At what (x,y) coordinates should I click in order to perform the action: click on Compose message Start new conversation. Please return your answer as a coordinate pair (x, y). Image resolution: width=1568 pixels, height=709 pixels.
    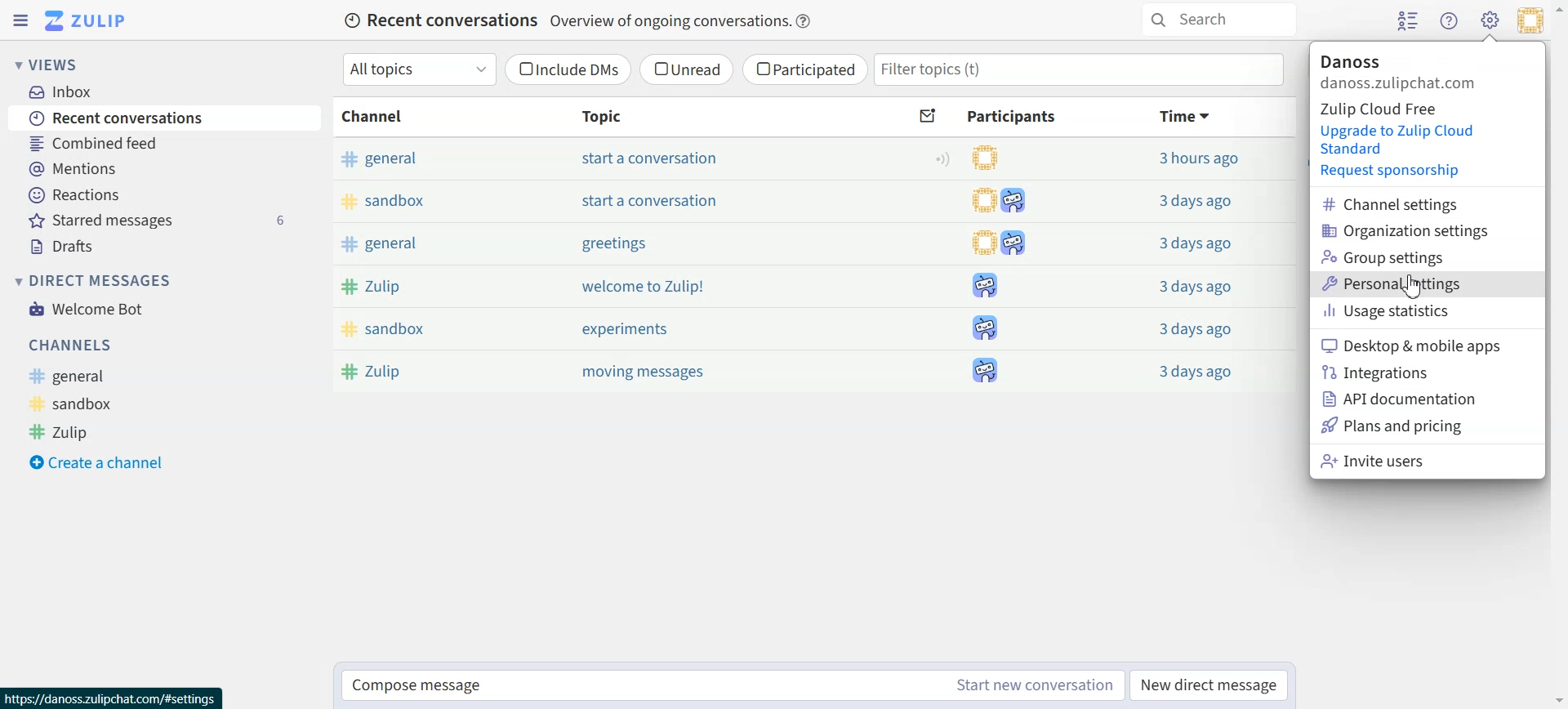
    Looking at the image, I should click on (730, 685).